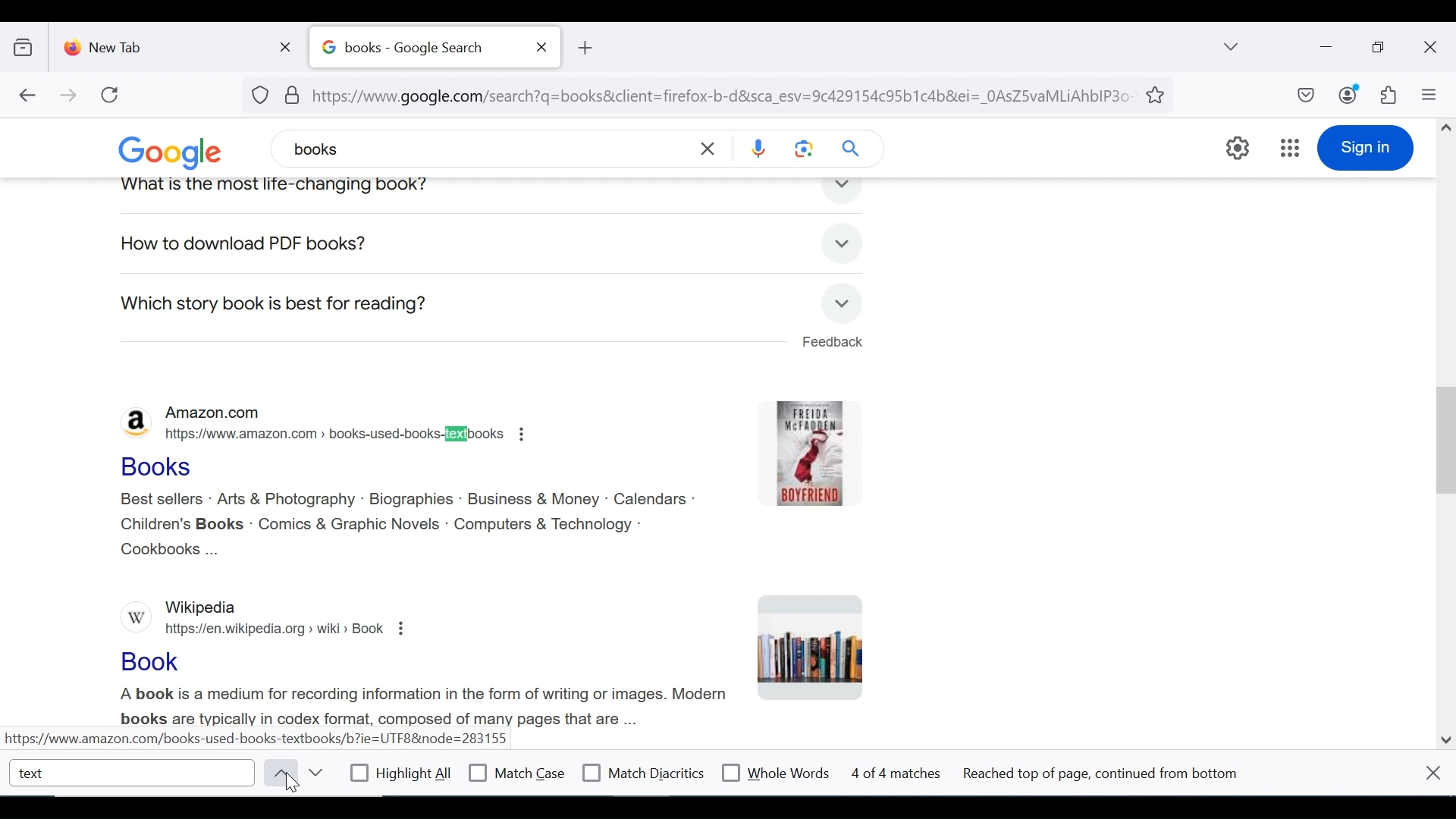  What do you see at coordinates (1238, 148) in the screenshot?
I see `quick settings` at bounding box center [1238, 148].